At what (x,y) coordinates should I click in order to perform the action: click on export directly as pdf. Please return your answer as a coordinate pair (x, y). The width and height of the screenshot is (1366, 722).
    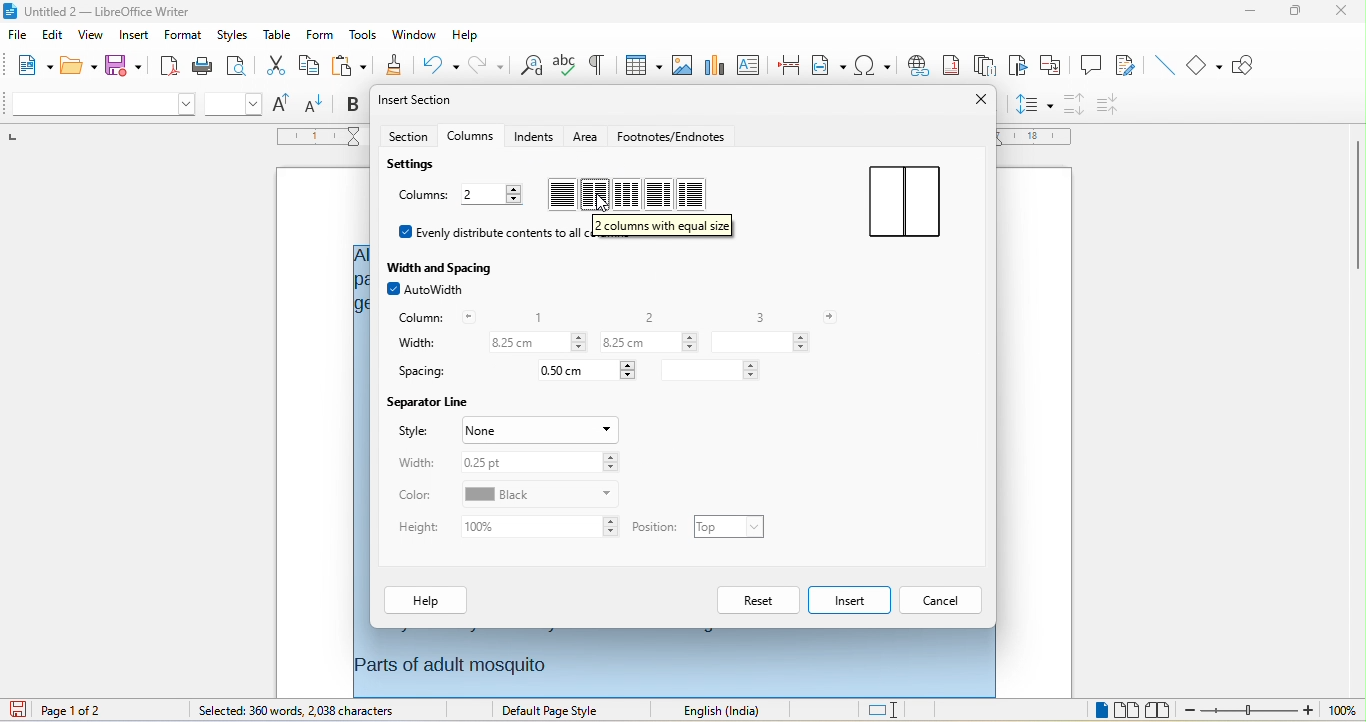
    Looking at the image, I should click on (165, 65).